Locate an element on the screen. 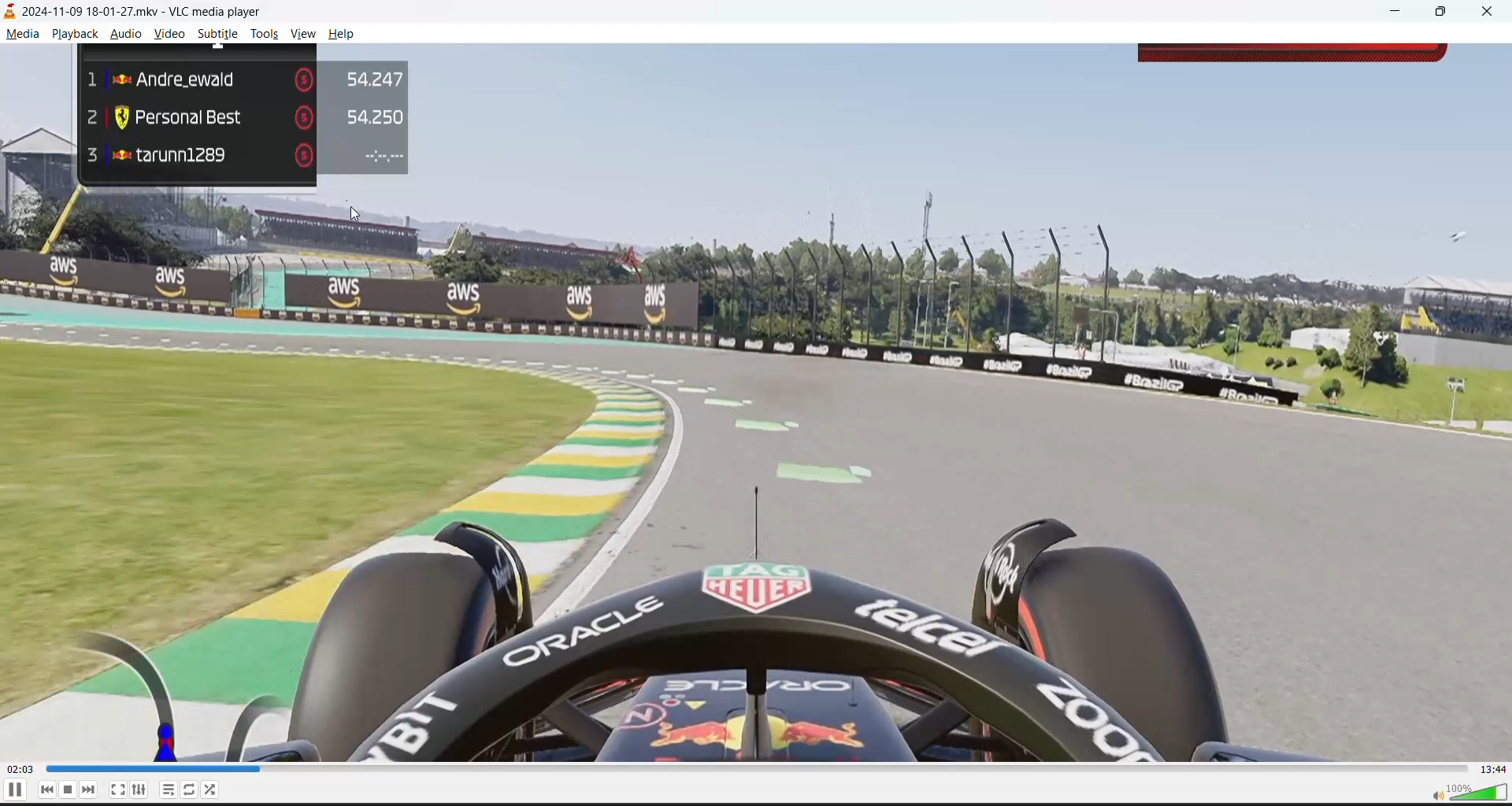  maximize is located at coordinates (1444, 13).